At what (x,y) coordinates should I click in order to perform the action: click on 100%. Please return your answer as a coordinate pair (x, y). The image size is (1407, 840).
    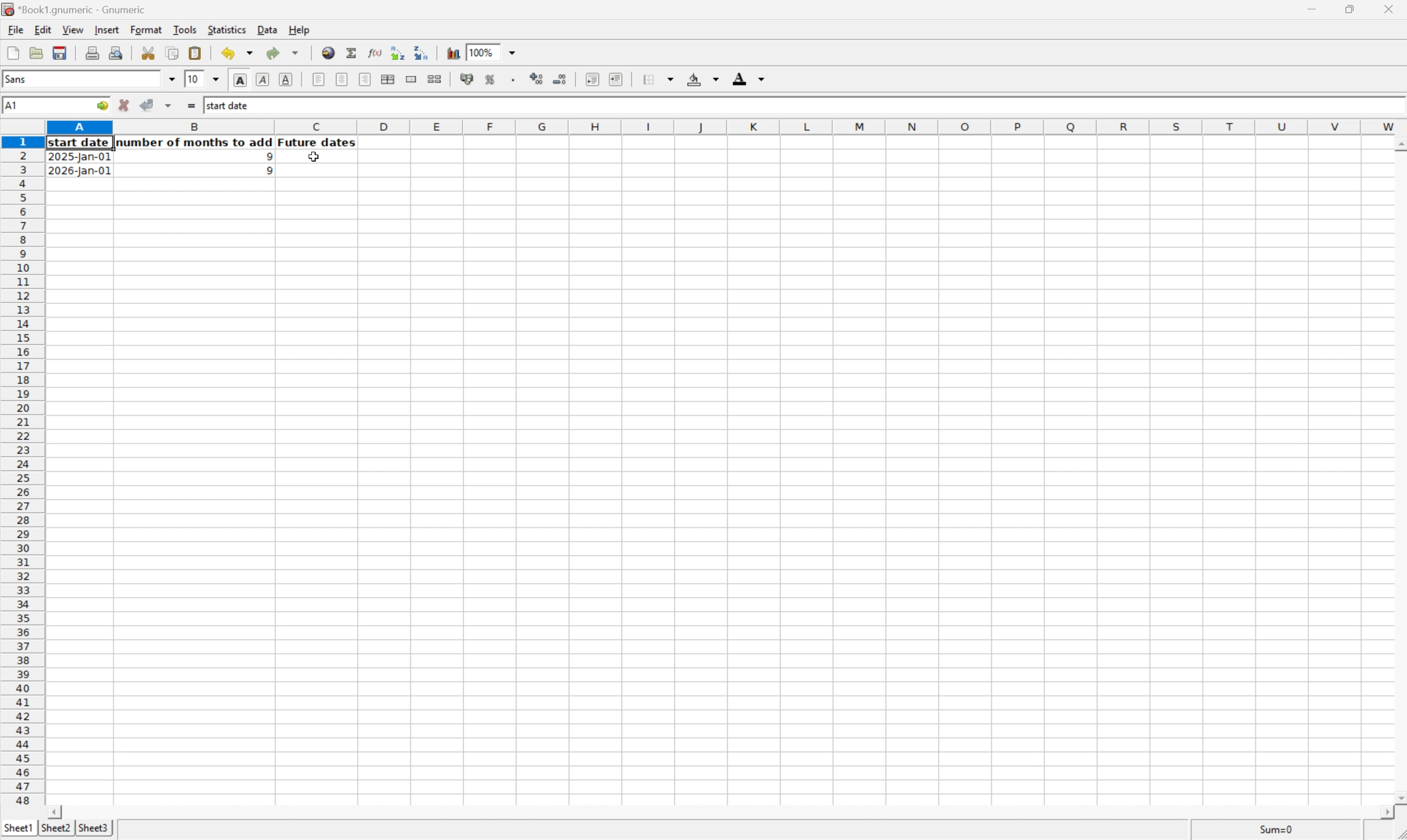
    Looking at the image, I should click on (480, 52).